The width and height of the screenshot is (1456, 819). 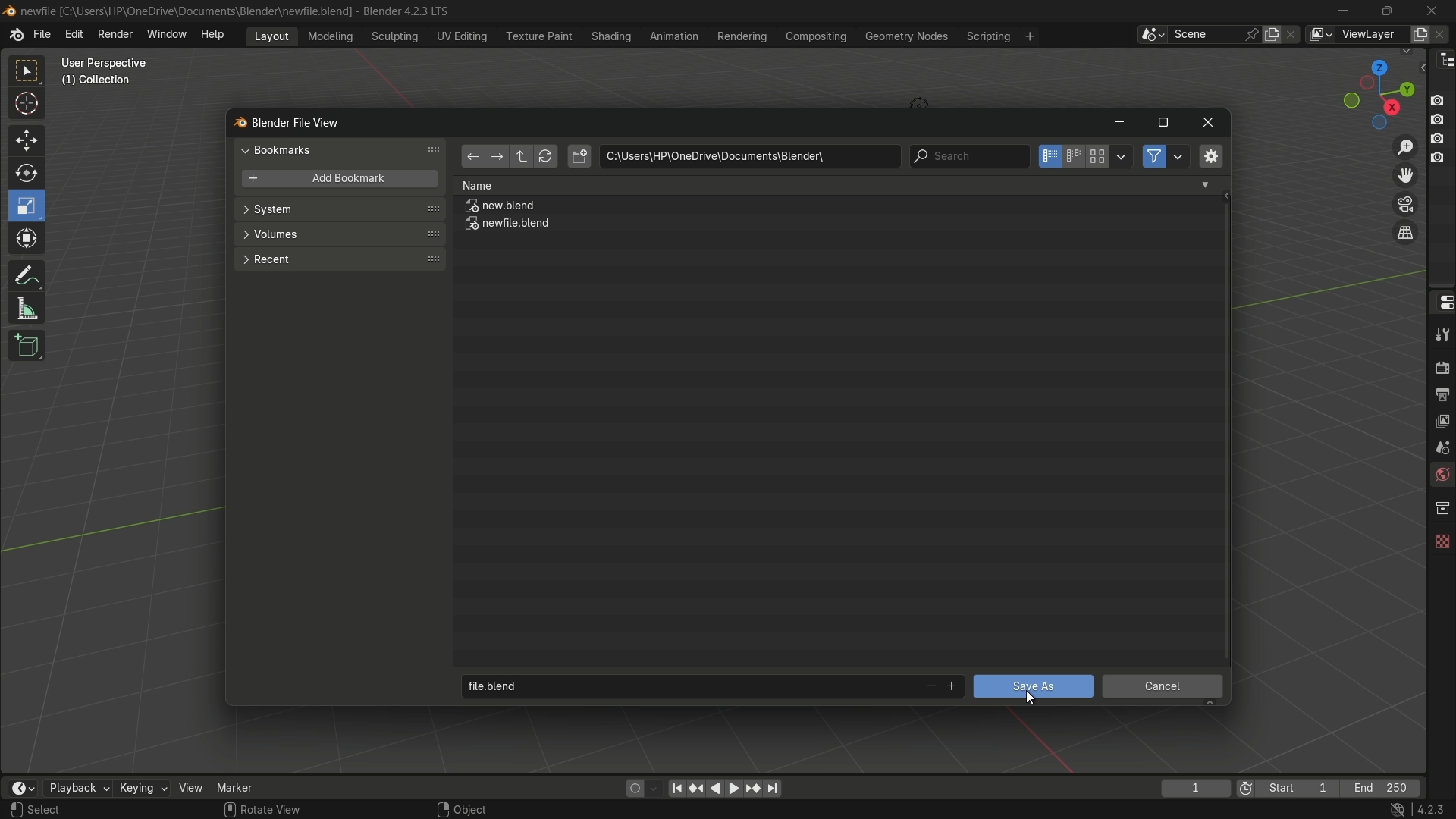 I want to click on annotate, so click(x=26, y=274).